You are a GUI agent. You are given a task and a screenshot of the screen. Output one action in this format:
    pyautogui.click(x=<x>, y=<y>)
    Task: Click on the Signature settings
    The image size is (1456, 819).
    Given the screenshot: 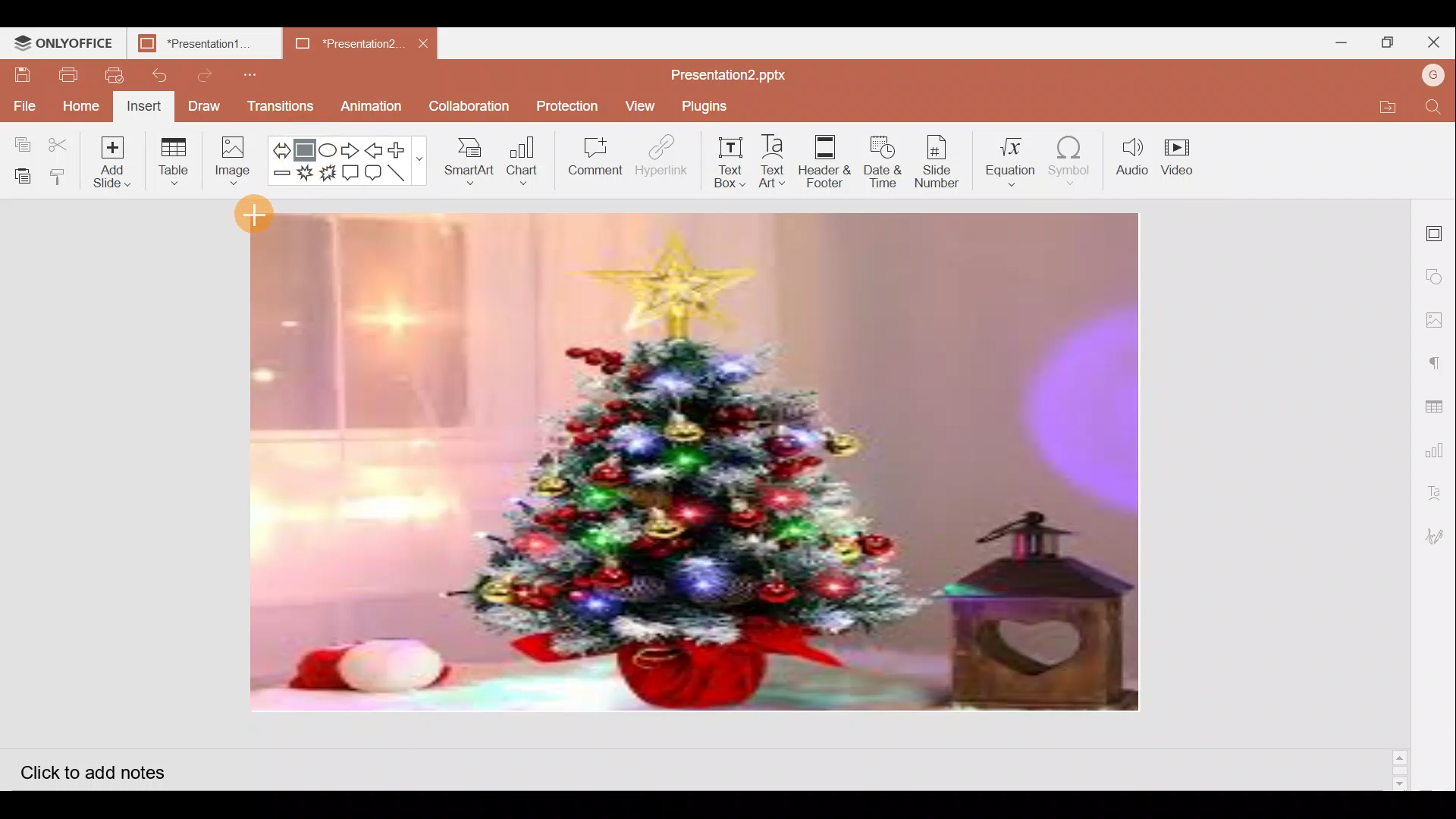 What is the action you would take?
    pyautogui.click(x=1438, y=534)
    